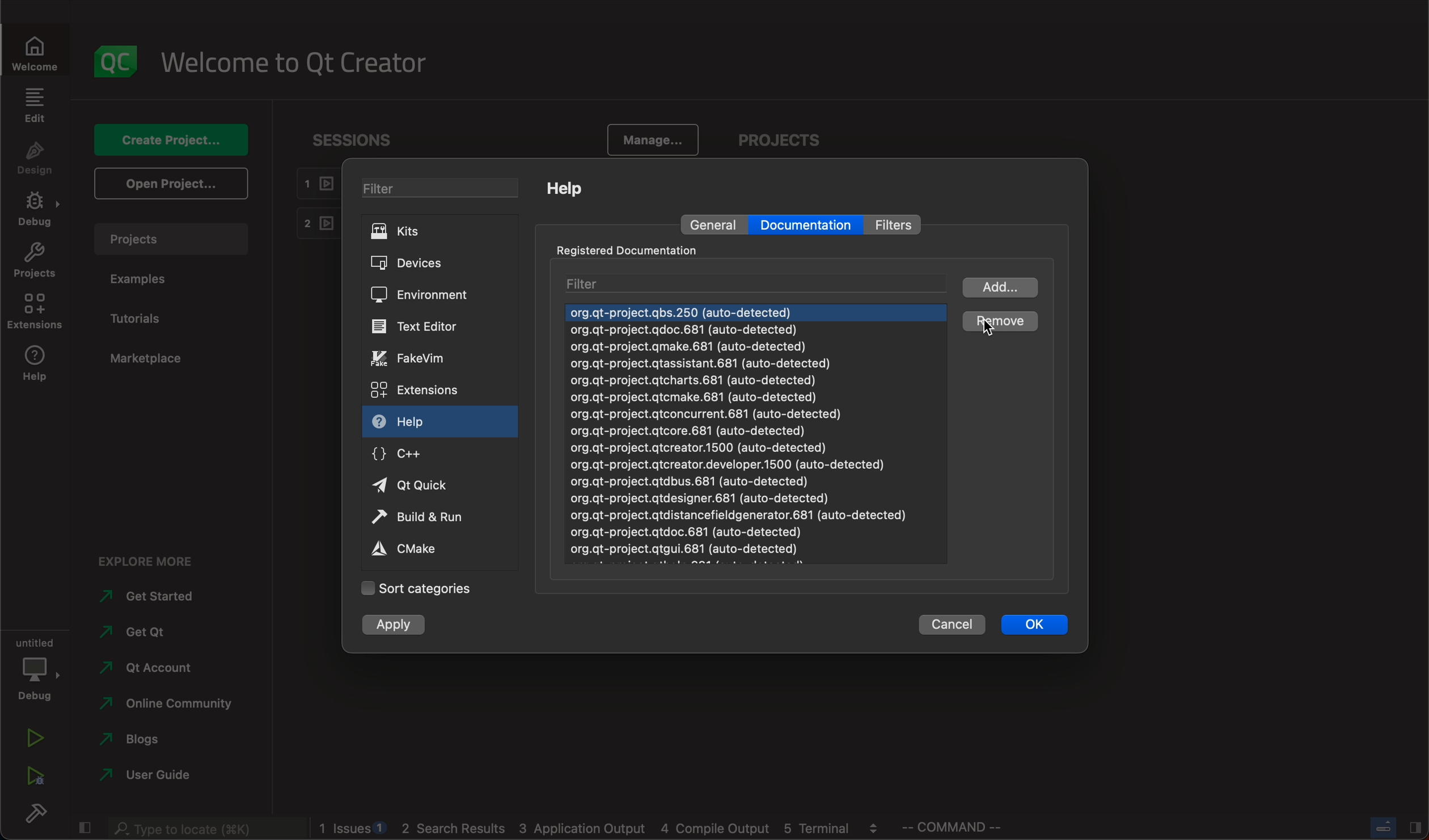 This screenshot has height=840, width=1429. Describe the element at coordinates (422, 357) in the screenshot. I see `vim` at that location.